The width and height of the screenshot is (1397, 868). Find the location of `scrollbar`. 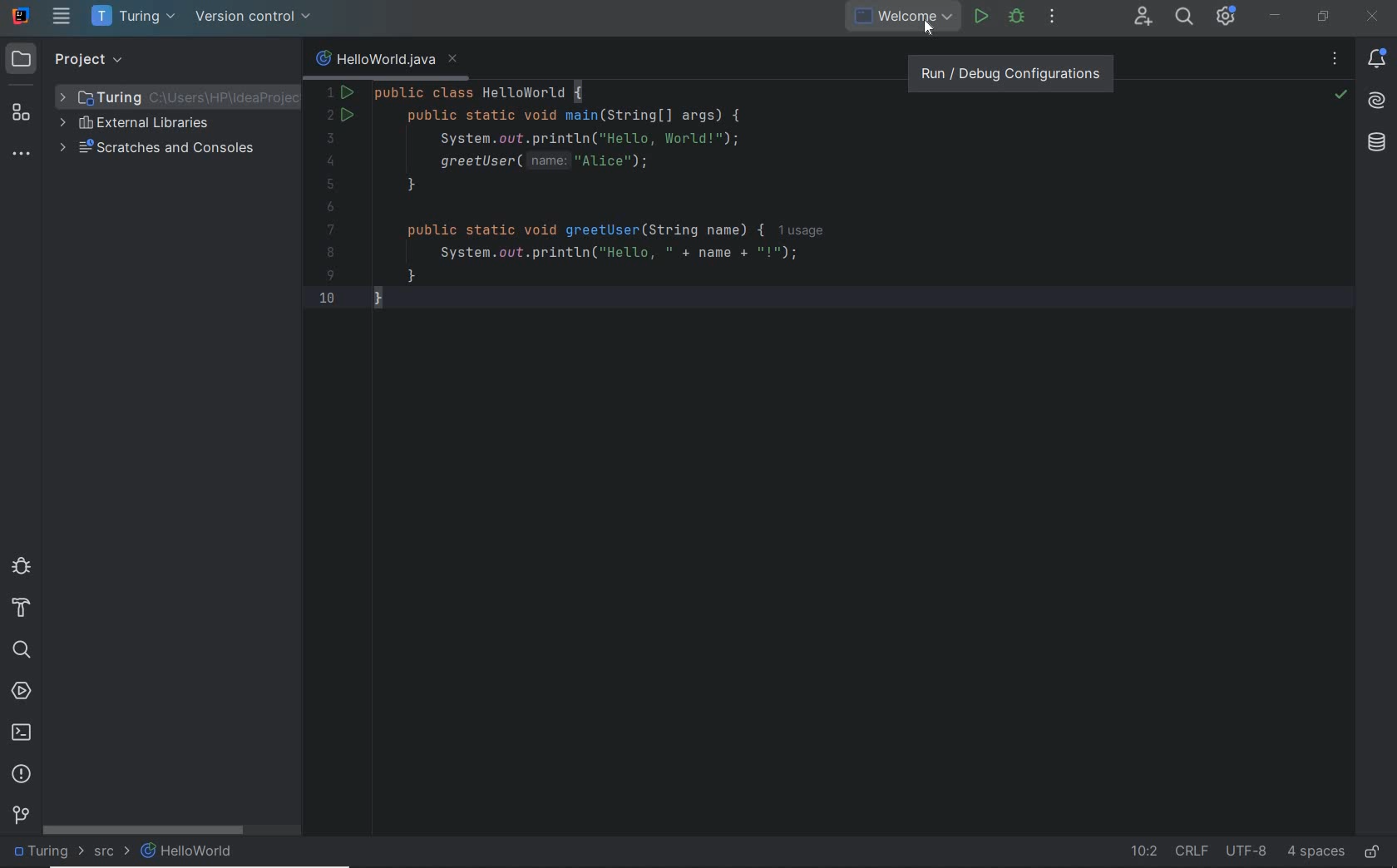

scrollbar is located at coordinates (144, 830).